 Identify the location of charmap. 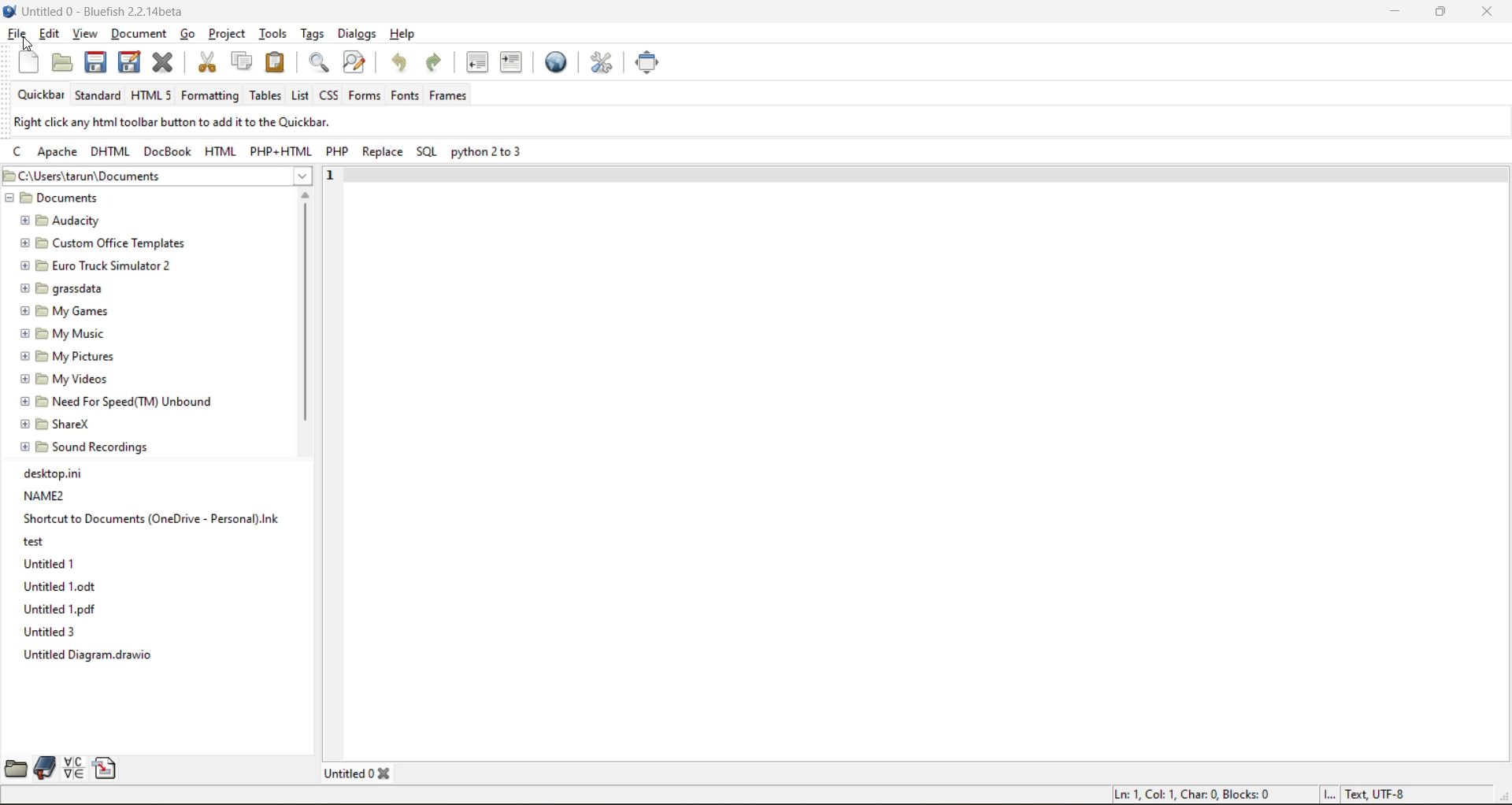
(73, 769).